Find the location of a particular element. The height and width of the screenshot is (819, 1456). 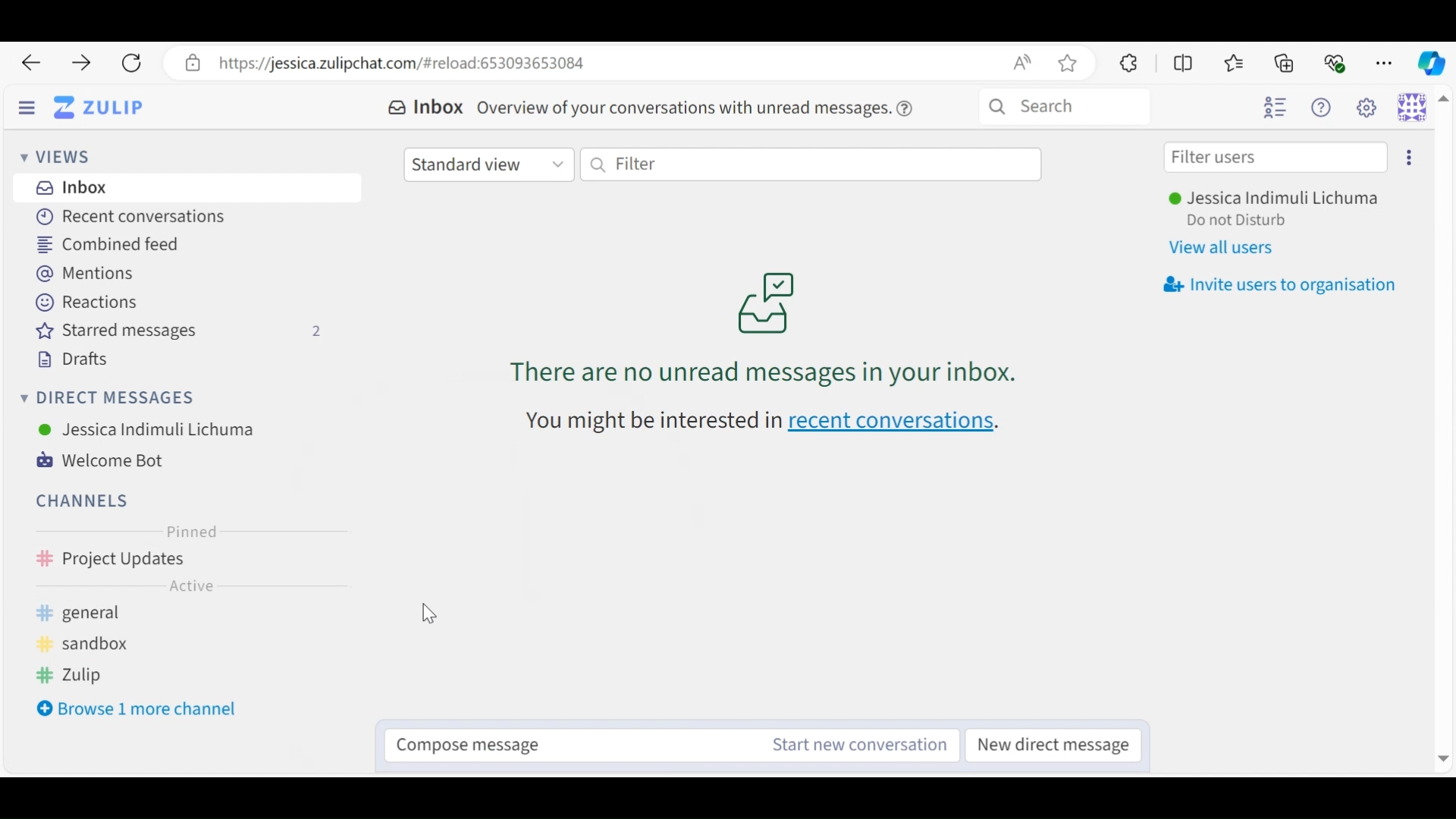

Browser essentials is located at coordinates (1336, 61).